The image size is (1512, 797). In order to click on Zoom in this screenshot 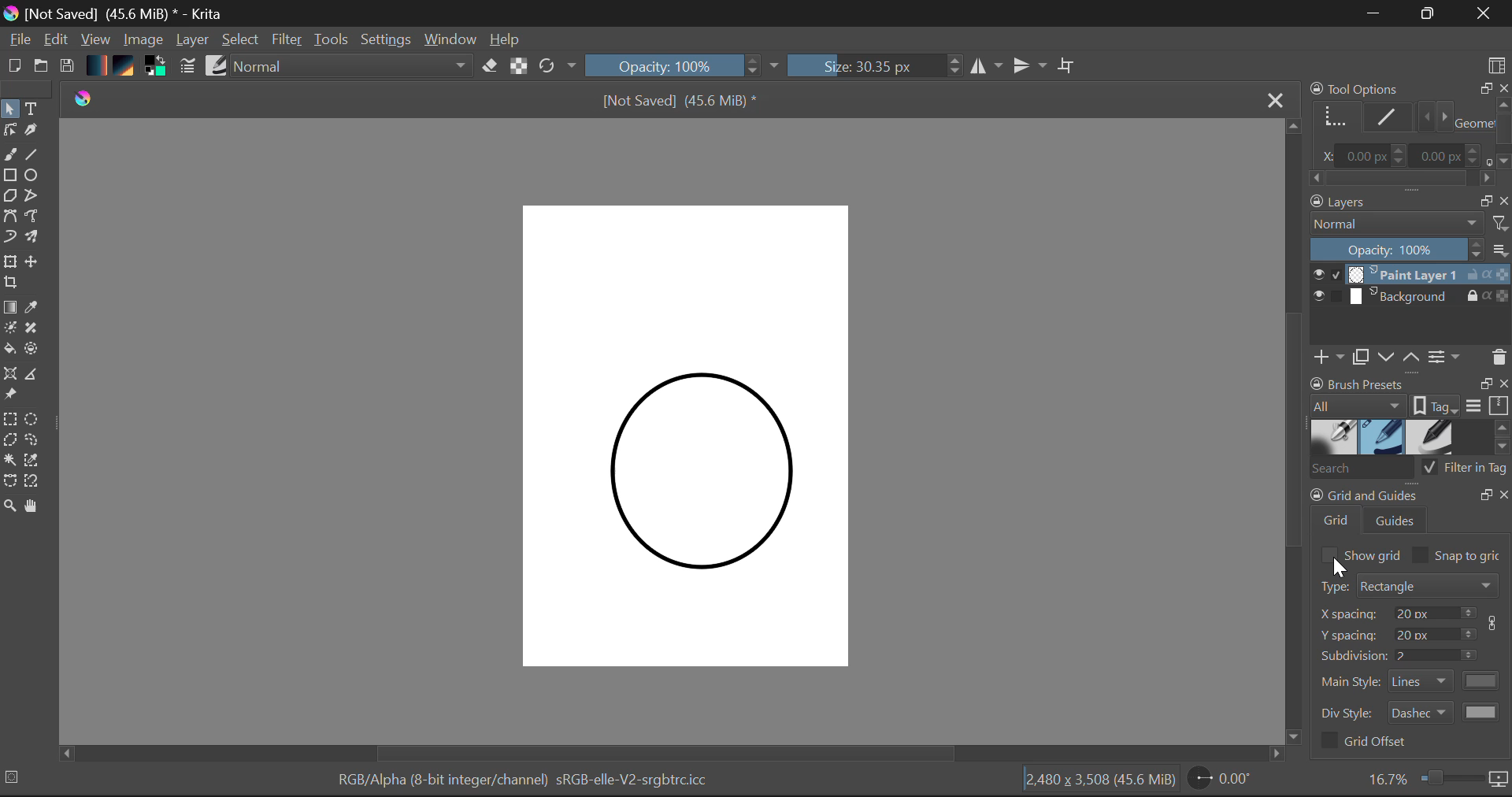, I will do `click(9, 505)`.